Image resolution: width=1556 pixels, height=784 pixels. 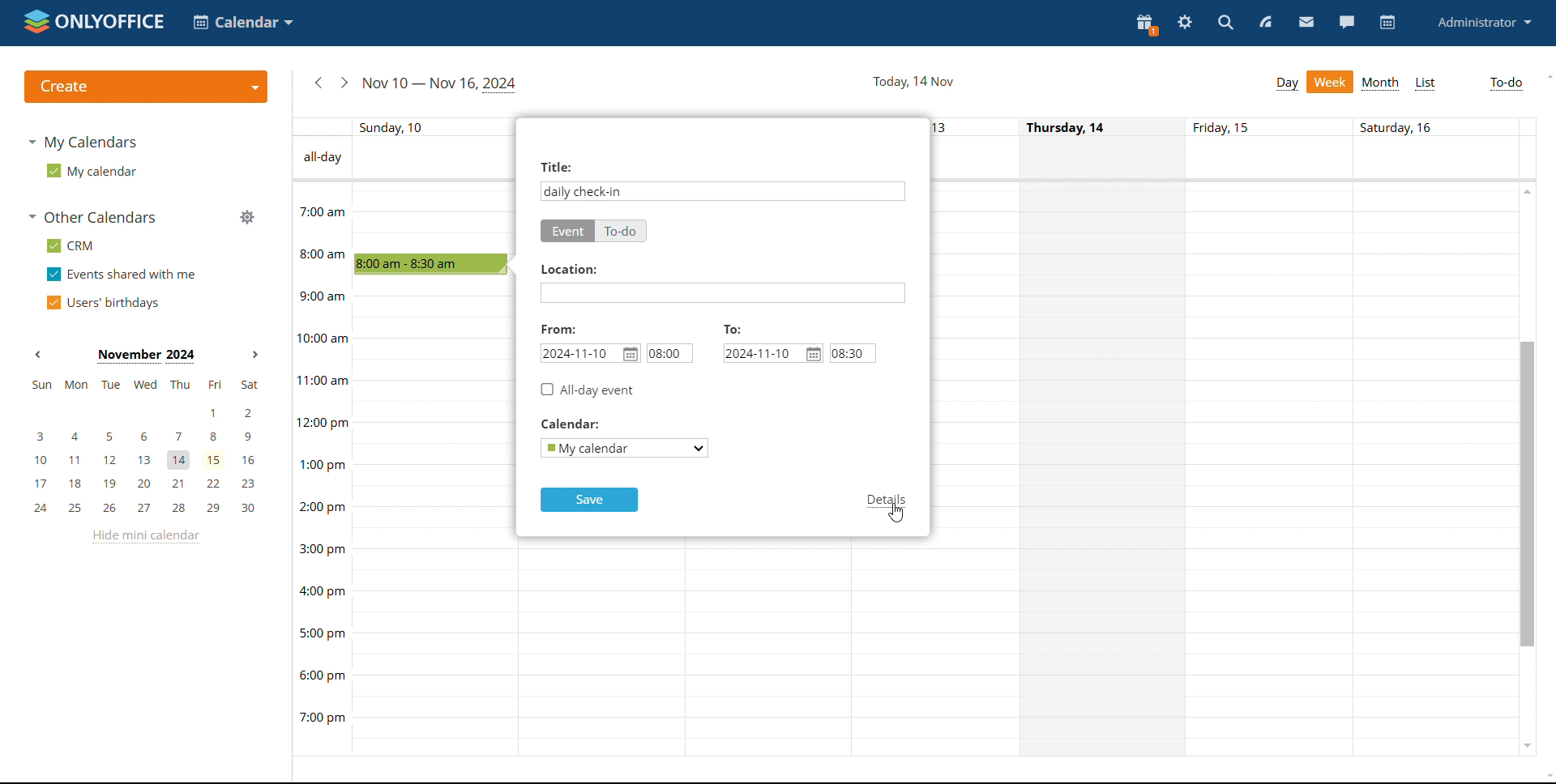 What do you see at coordinates (622, 231) in the screenshot?
I see `to-do` at bounding box center [622, 231].